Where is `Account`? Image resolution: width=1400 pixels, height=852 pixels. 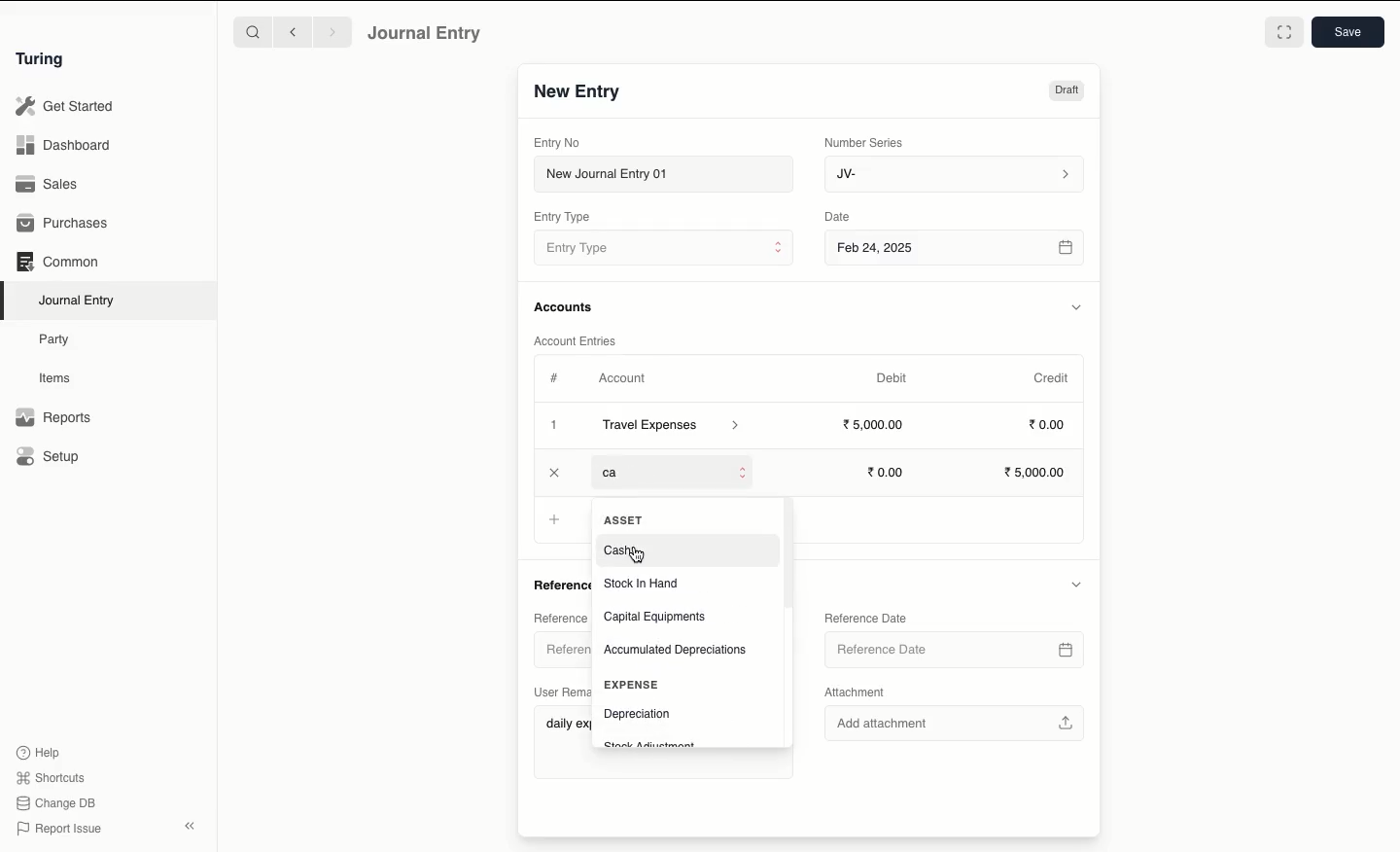 Account is located at coordinates (623, 378).